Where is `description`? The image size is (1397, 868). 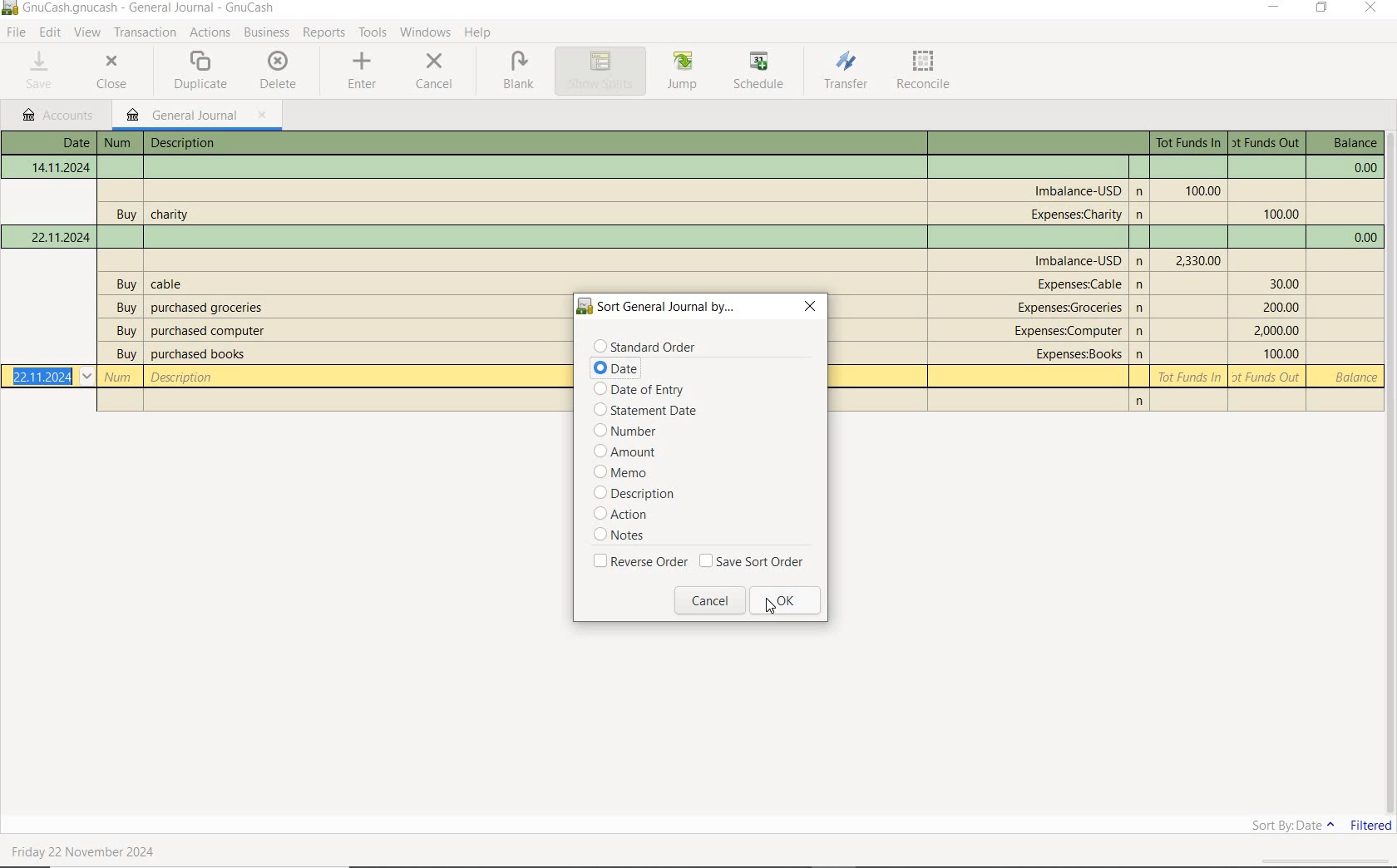
description is located at coordinates (208, 332).